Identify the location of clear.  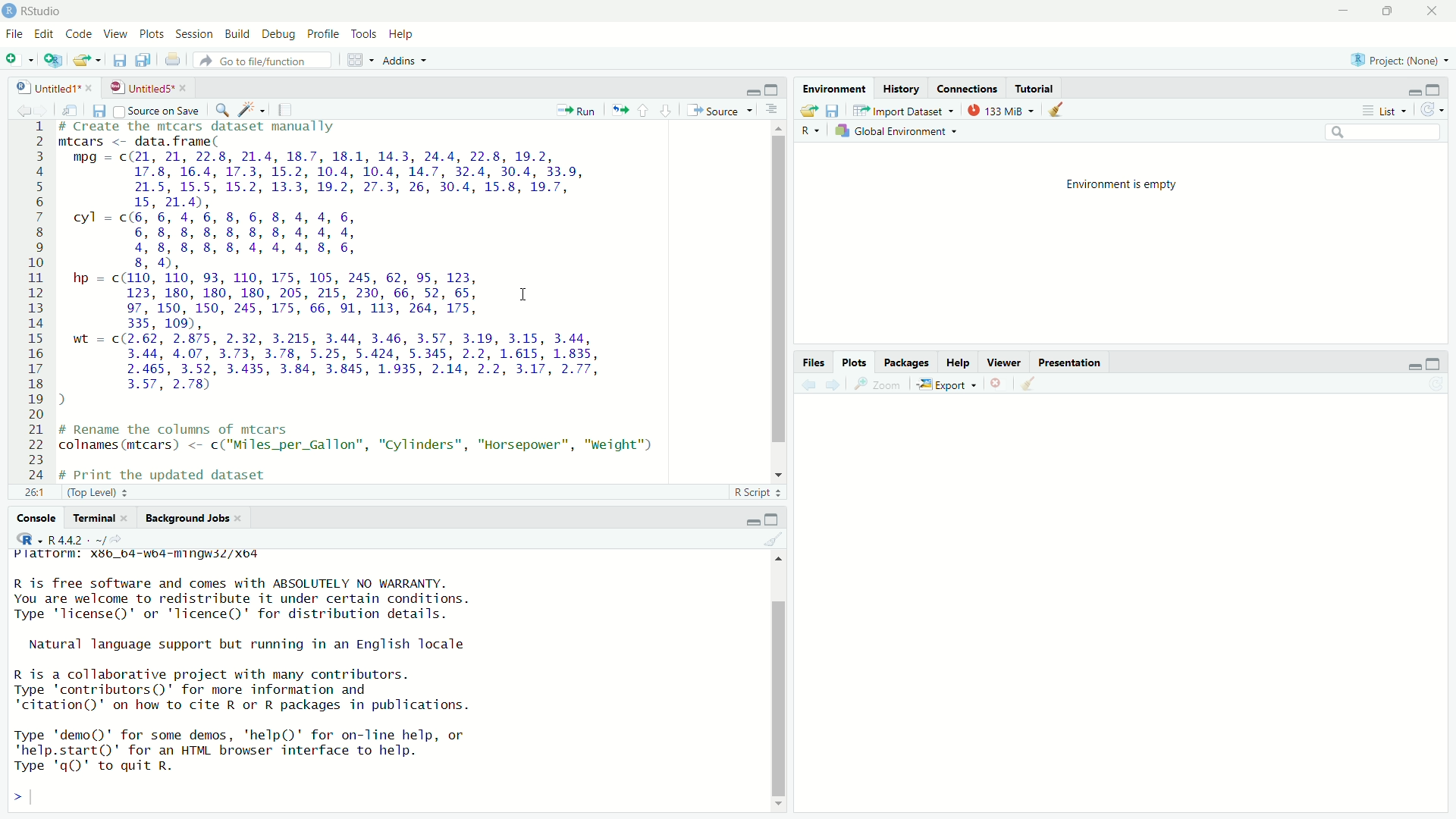
(1030, 387).